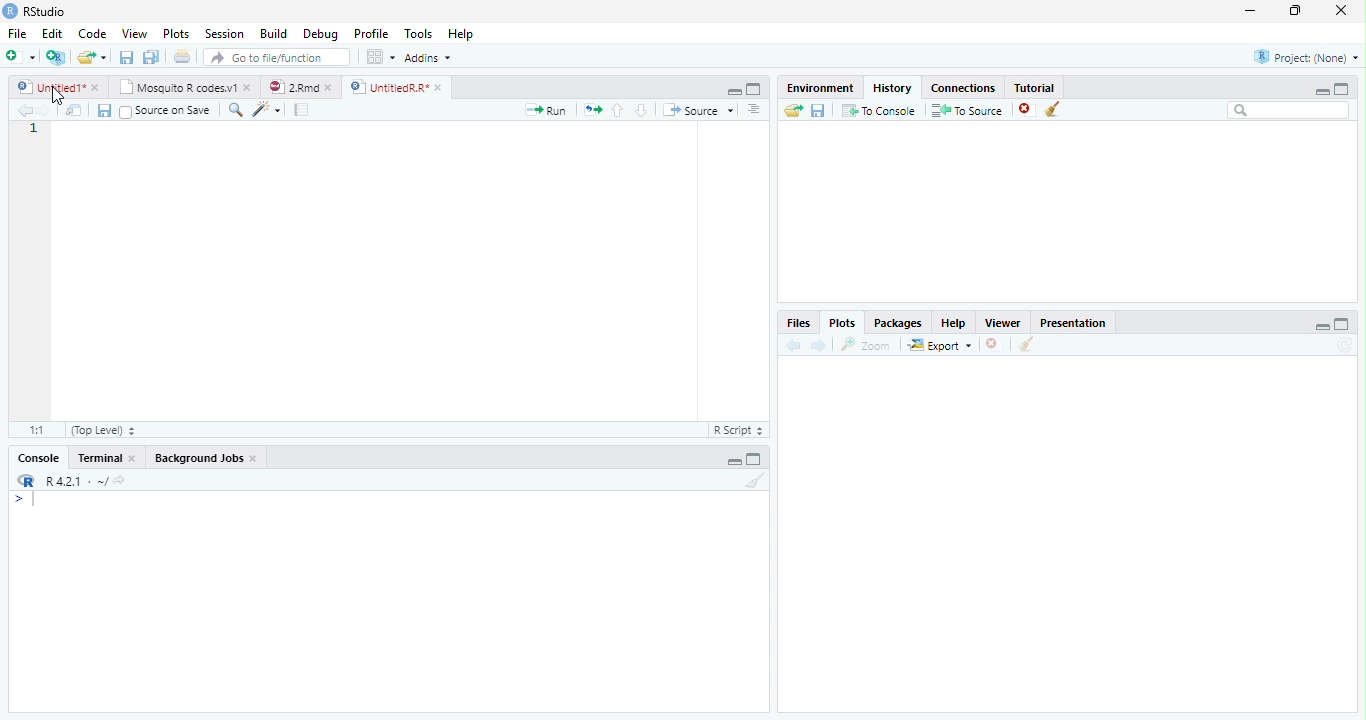 Image resolution: width=1366 pixels, height=720 pixels. Describe the element at coordinates (91, 33) in the screenshot. I see `Code` at that location.